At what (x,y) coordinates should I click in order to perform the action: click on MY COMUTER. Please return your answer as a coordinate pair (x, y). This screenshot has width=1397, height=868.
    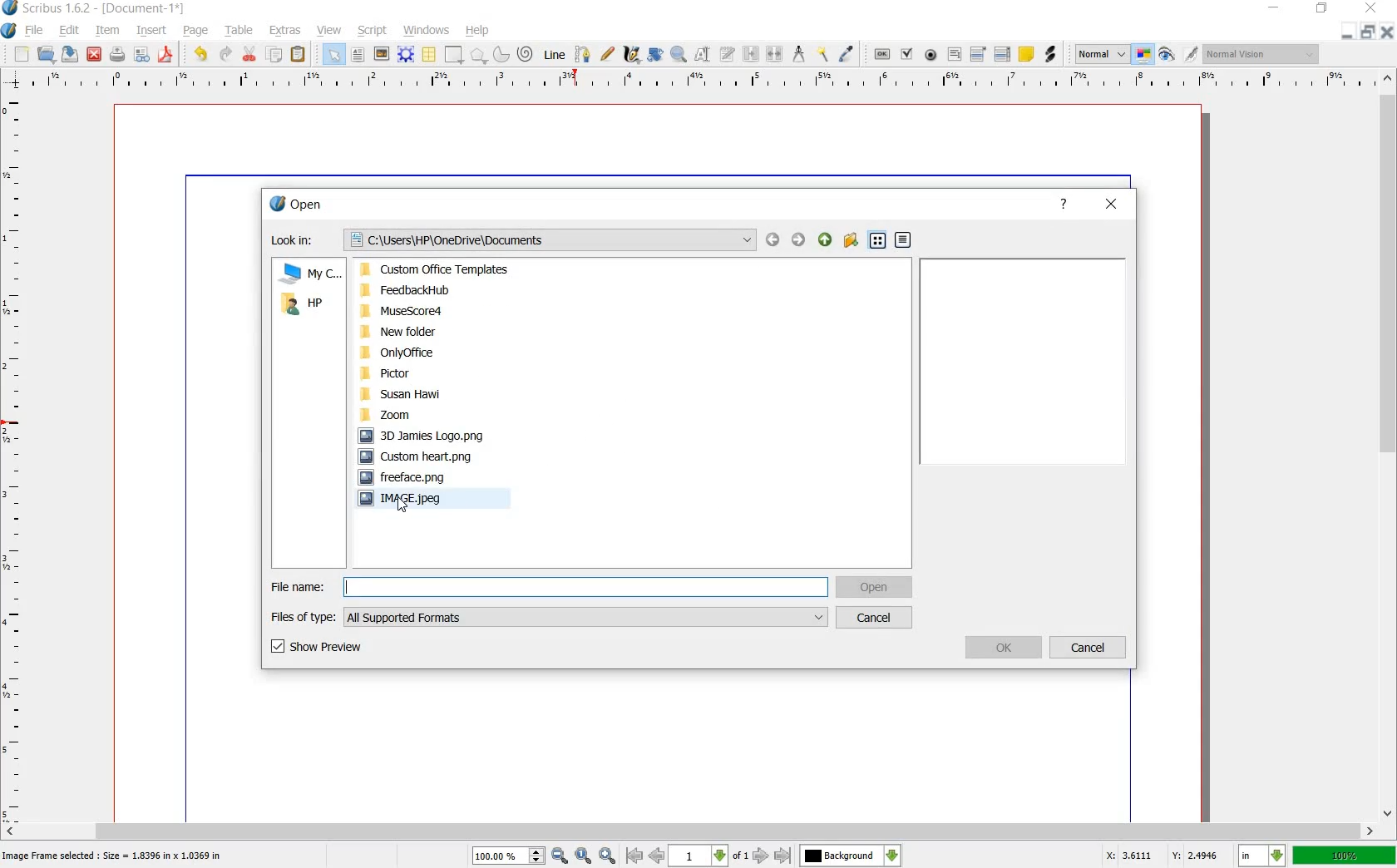
    Looking at the image, I should click on (309, 273).